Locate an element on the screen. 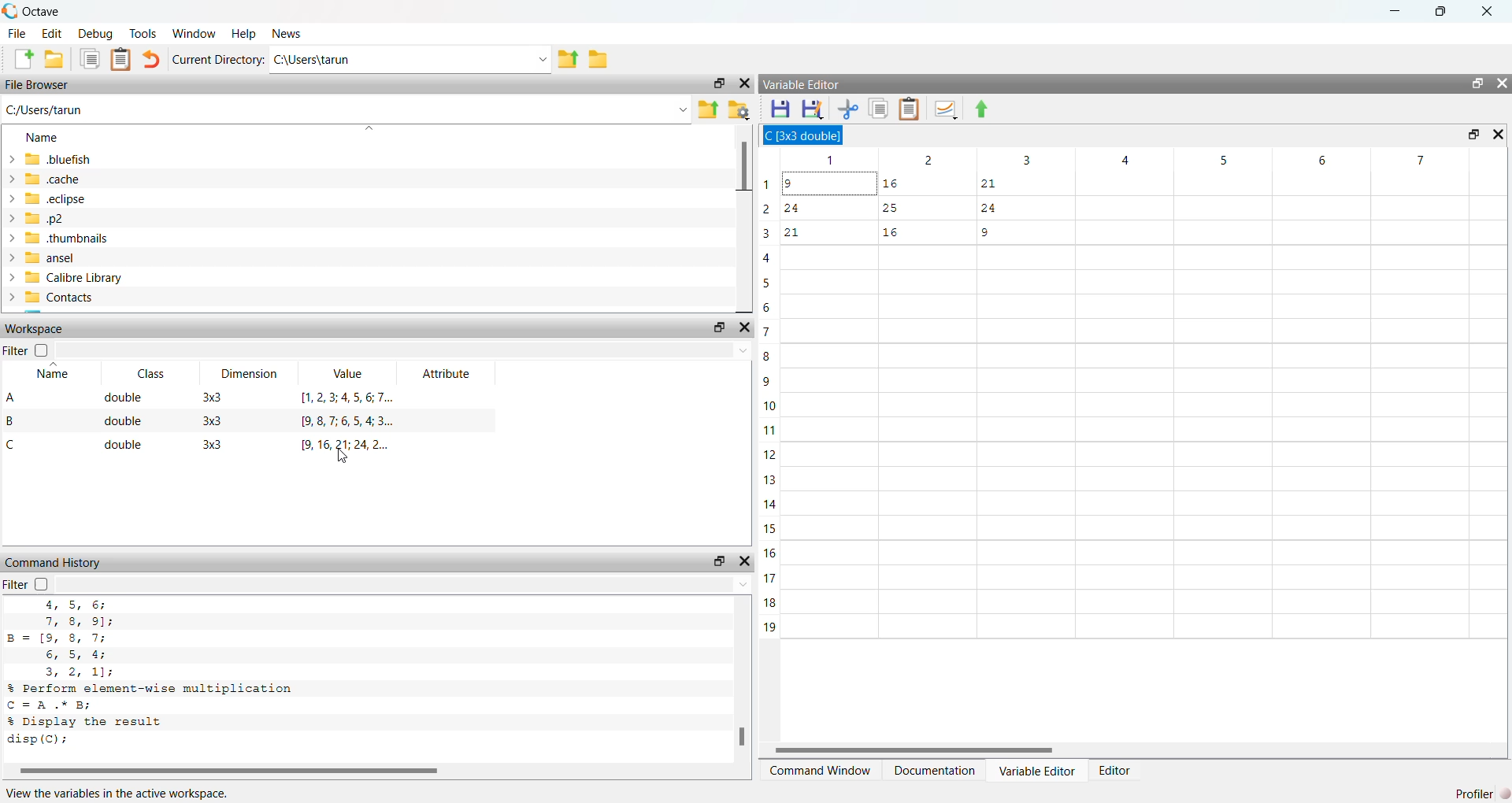  thumbnails is located at coordinates (66, 239).